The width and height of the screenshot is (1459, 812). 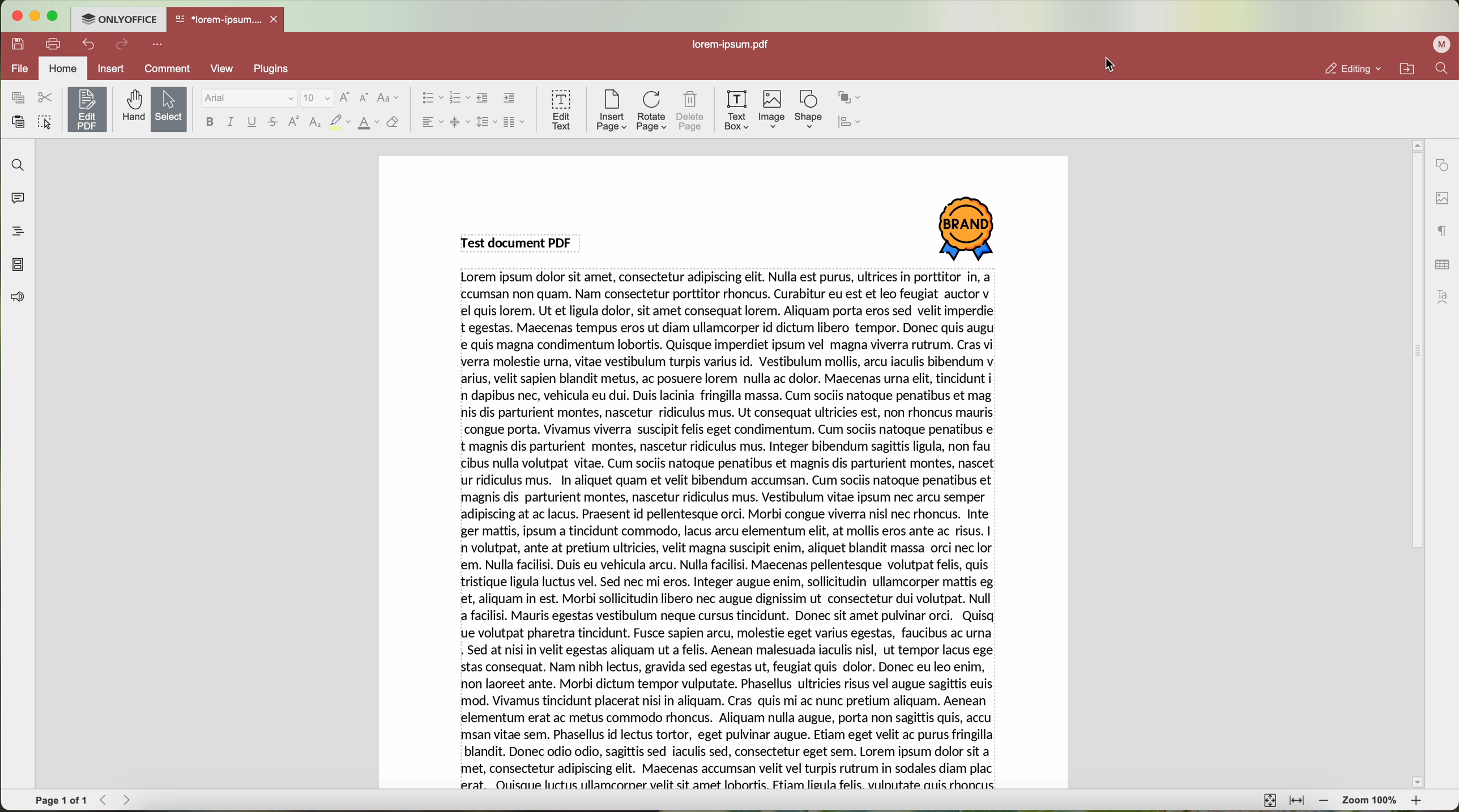 What do you see at coordinates (15, 196) in the screenshot?
I see `comments` at bounding box center [15, 196].